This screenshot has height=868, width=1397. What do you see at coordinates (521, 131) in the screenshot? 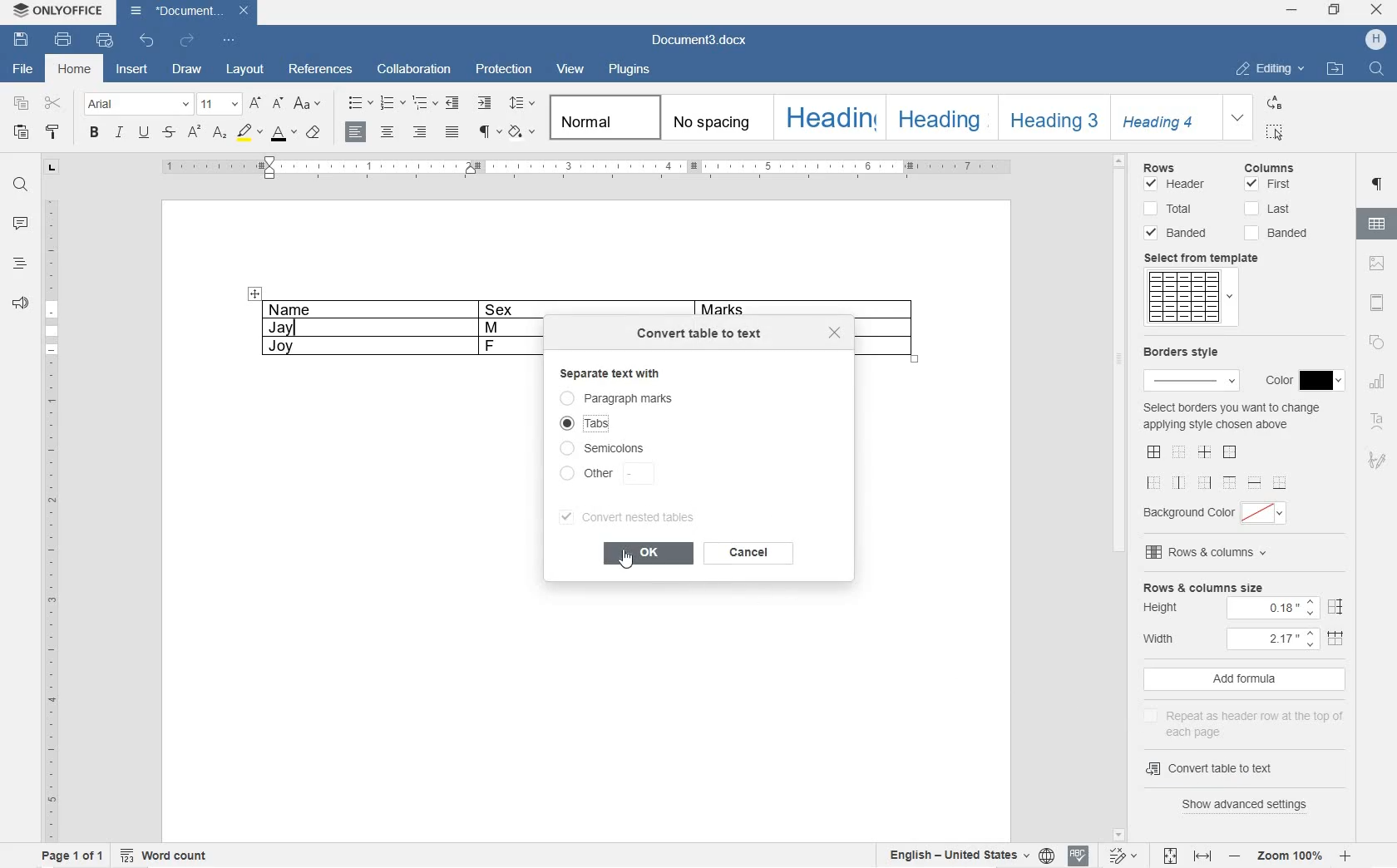
I see `SHADING` at bounding box center [521, 131].